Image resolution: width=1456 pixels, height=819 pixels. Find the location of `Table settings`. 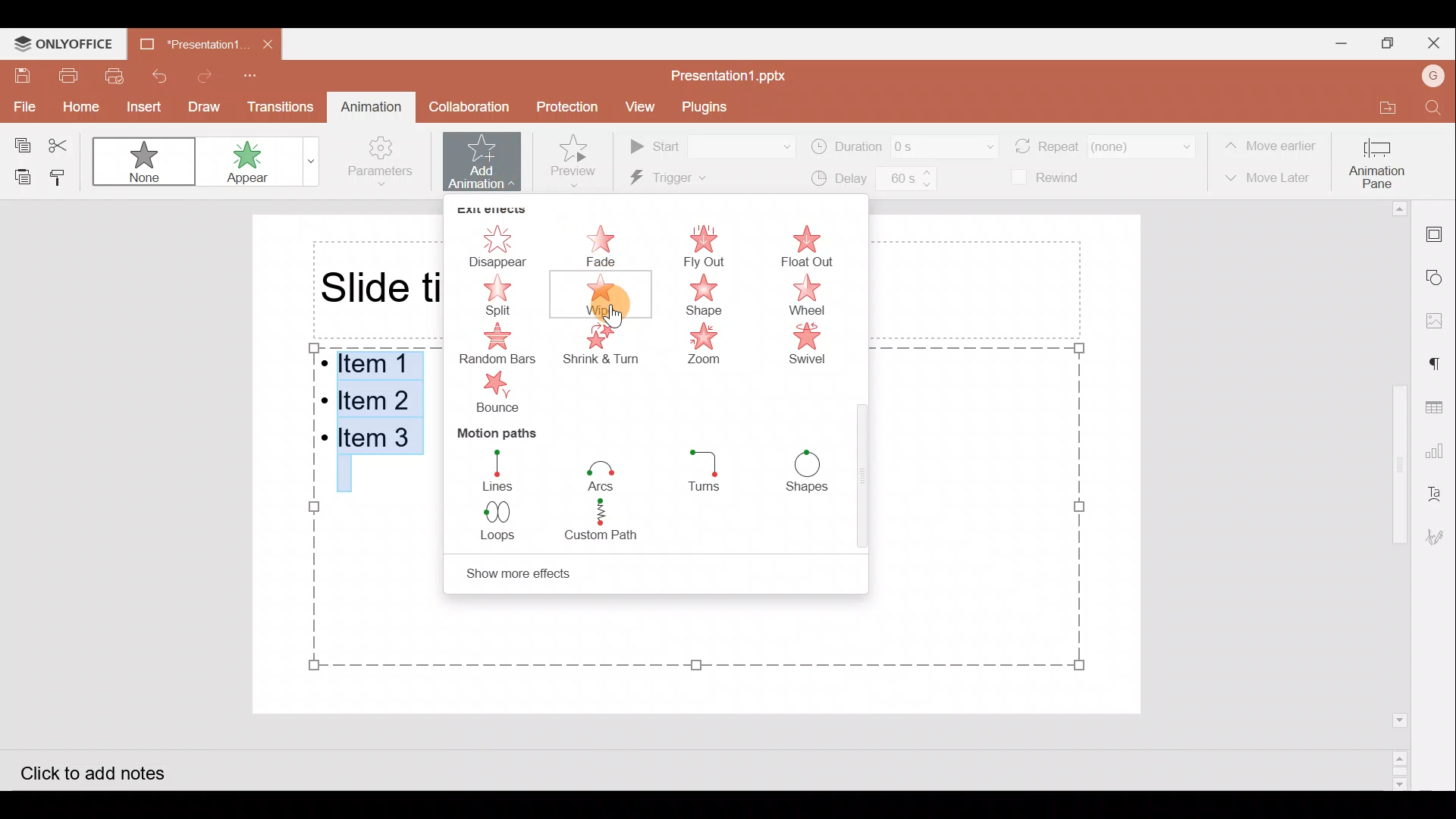

Table settings is located at coordinates (1439, 407).